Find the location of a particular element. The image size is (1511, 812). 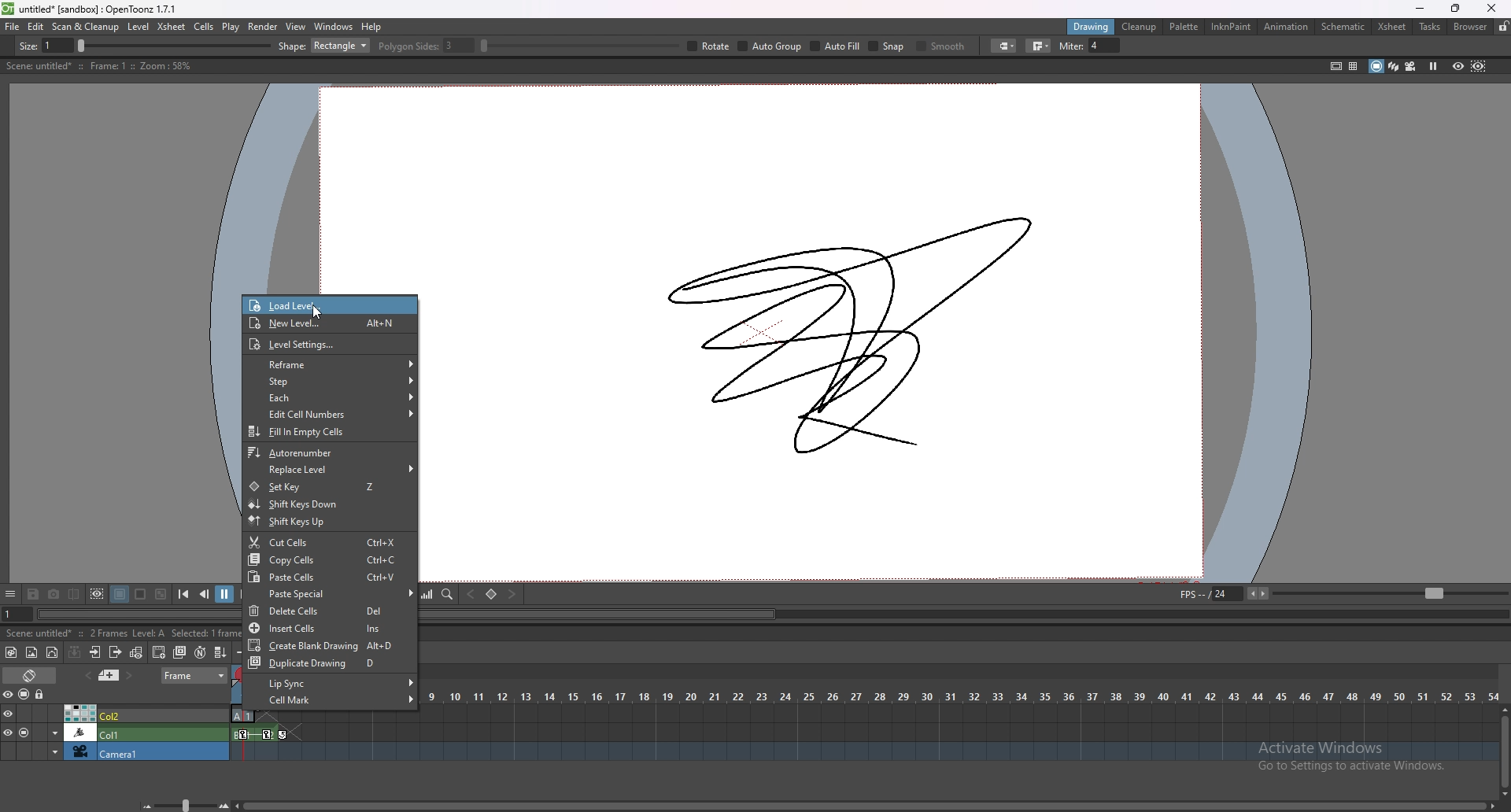

resize is located at coordinates (1455, 9).